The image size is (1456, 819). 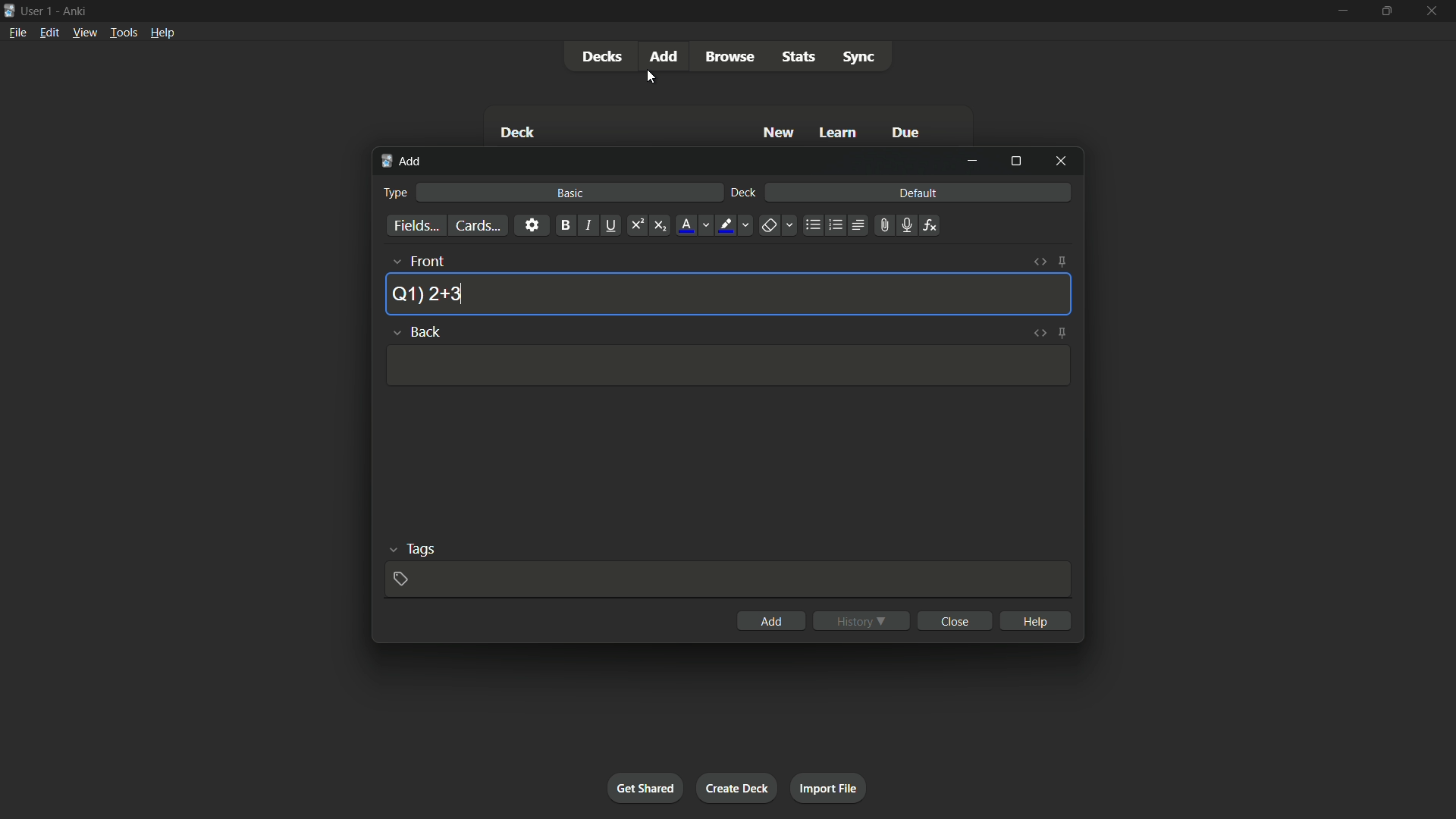 What do you see at coordinates (422, 548) in the screenshot?
I see `tags` at bounding box center [422, 548].